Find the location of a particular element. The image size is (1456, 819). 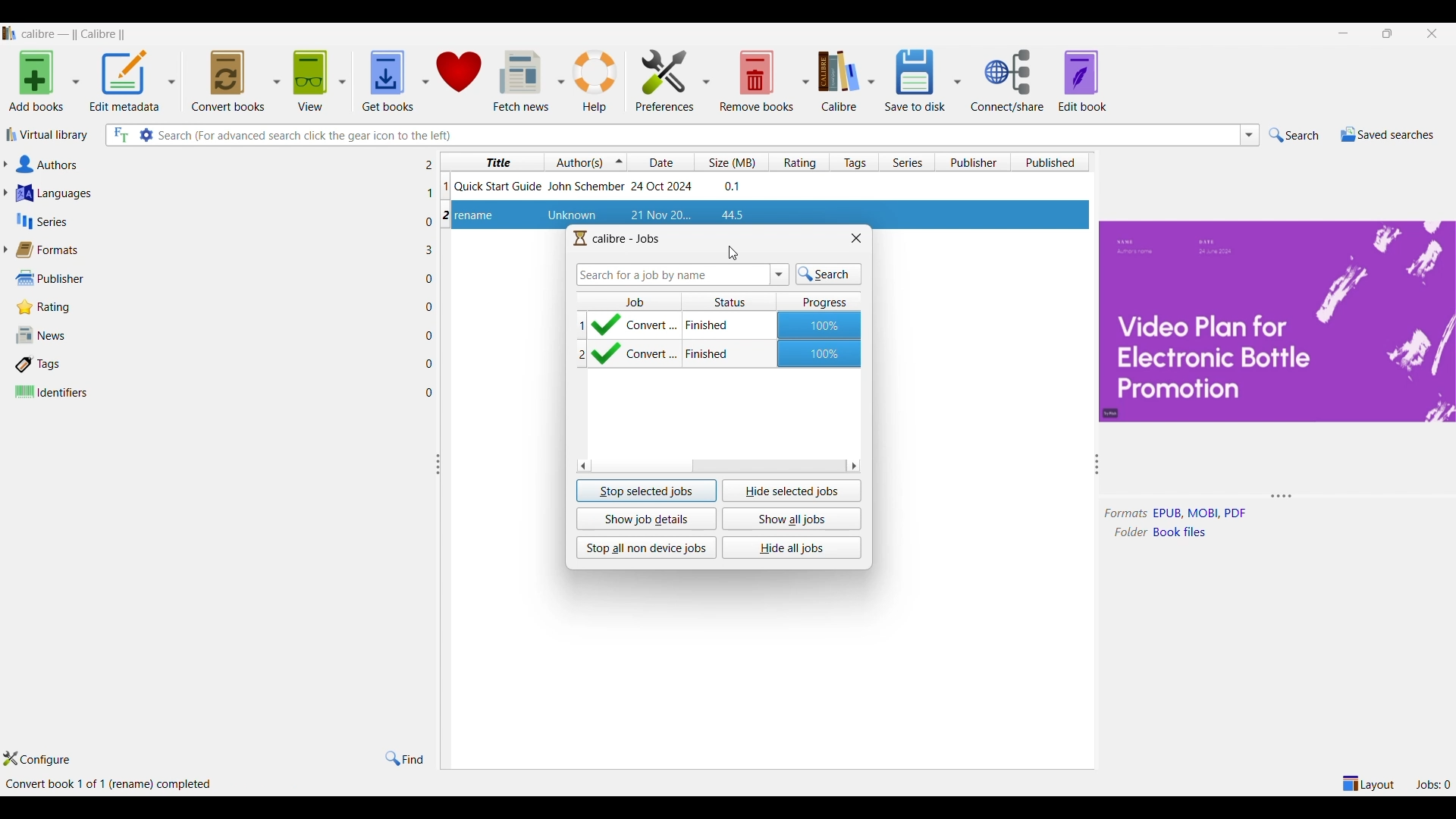

Title column is located at coordinates (491, 162).